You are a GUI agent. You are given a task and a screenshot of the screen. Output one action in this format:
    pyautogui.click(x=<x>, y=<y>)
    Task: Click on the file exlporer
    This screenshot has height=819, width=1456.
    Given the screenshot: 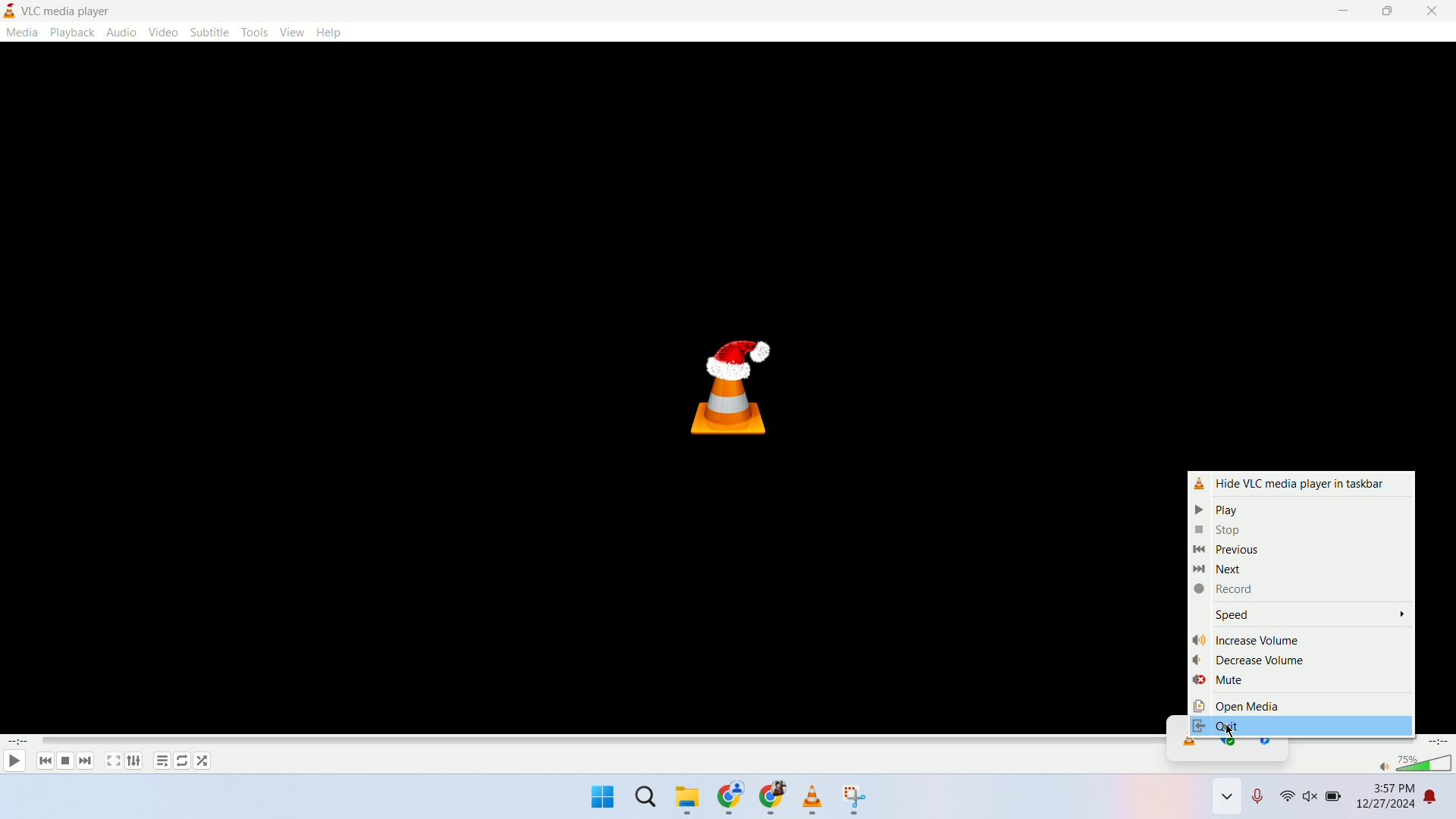 What is the action you would take?
    pyautogui.click(x=689, y=801)
    